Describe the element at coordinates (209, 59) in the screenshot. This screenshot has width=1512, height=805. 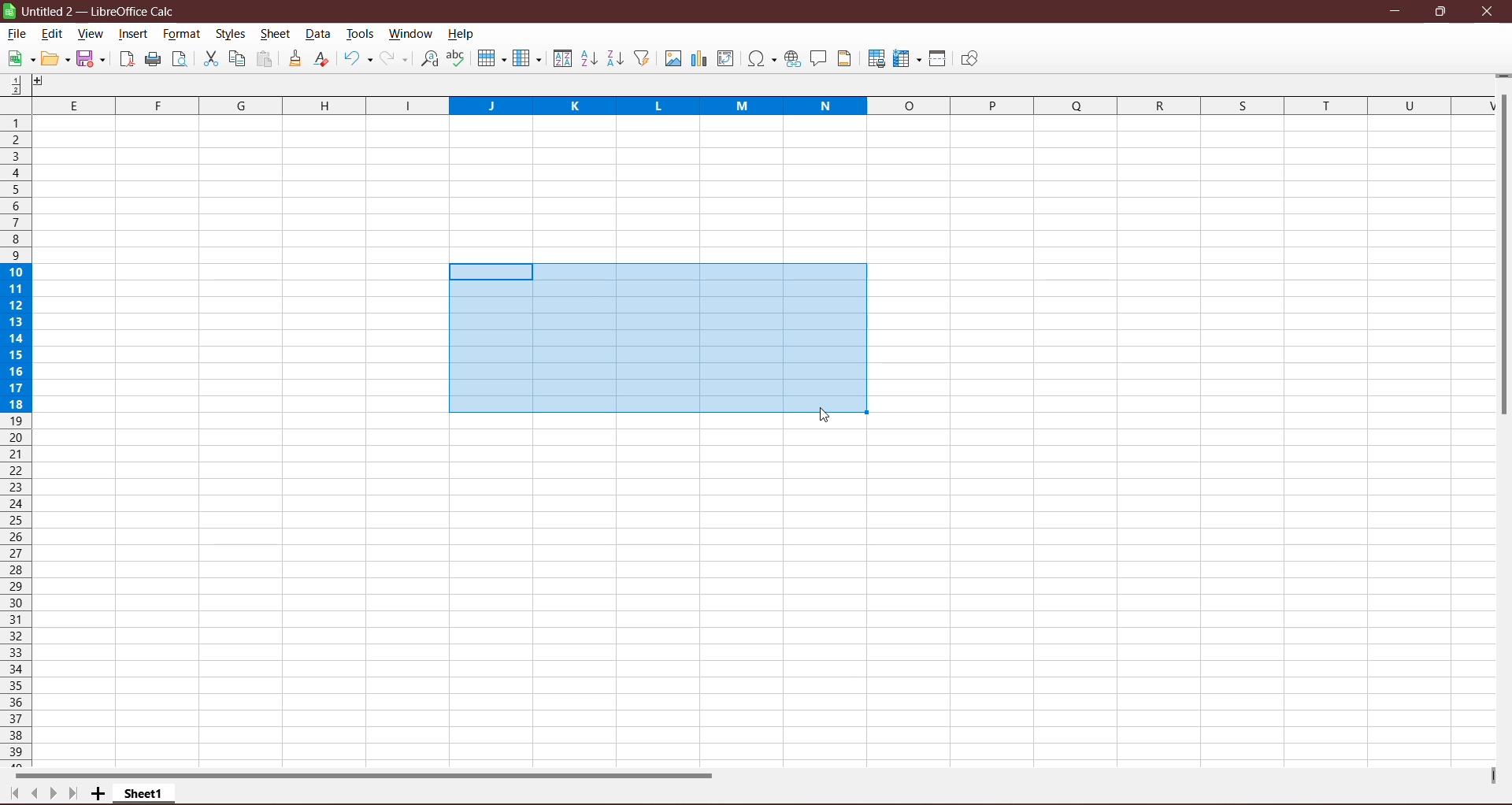
I see `Cut` at that location.